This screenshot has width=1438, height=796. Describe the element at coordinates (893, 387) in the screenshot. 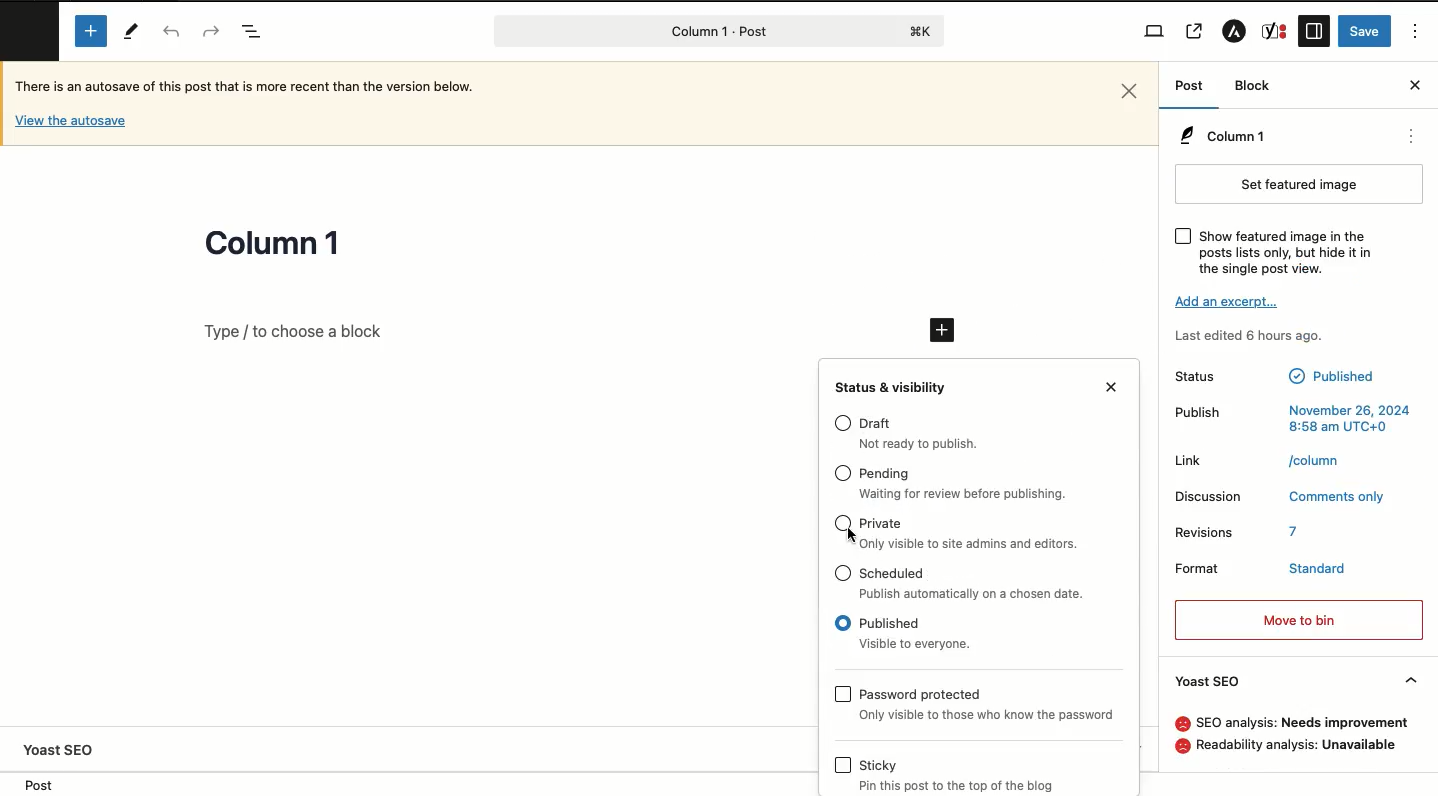

I see `Status and visibility` at that location.